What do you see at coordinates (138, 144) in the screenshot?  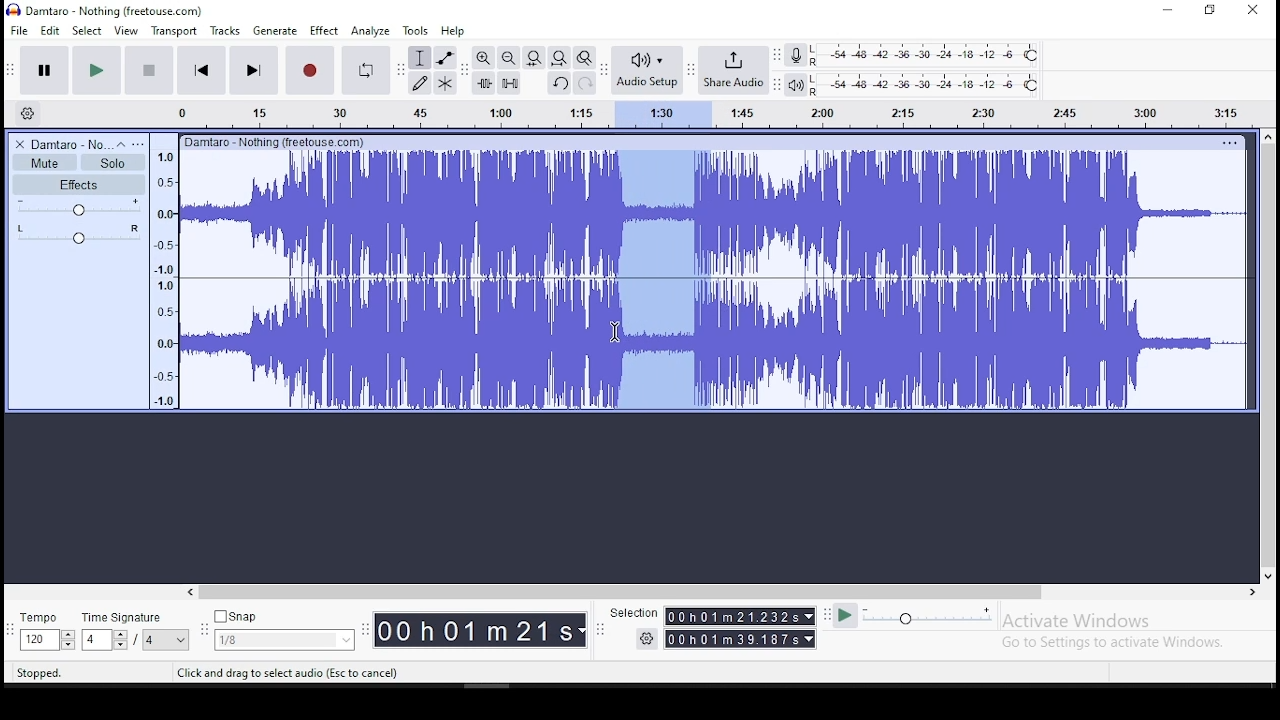 I see `open menu` at bounding box center [138, 144].